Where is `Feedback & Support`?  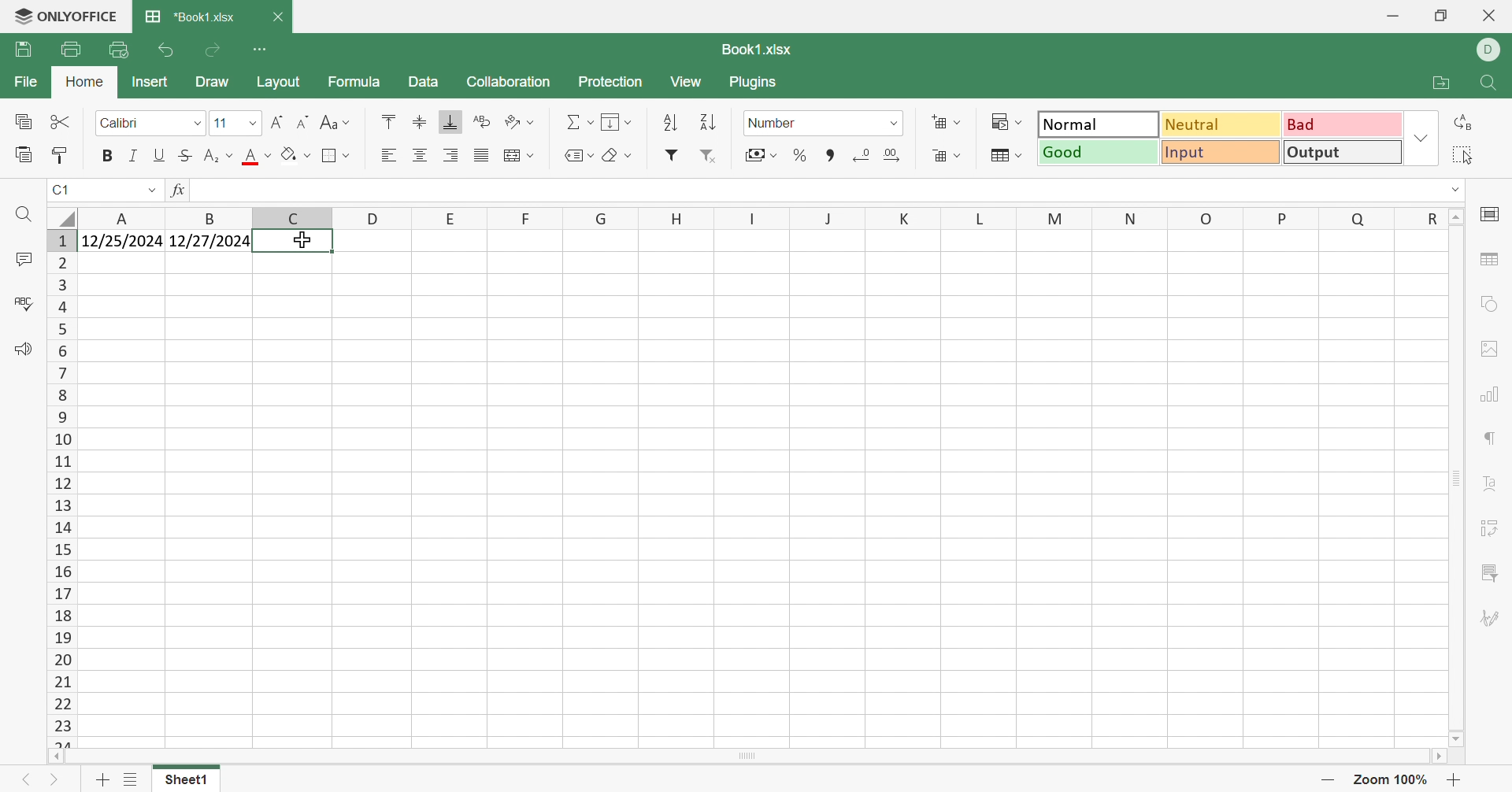 Feedback & Support is located at coordinates (24, 349).